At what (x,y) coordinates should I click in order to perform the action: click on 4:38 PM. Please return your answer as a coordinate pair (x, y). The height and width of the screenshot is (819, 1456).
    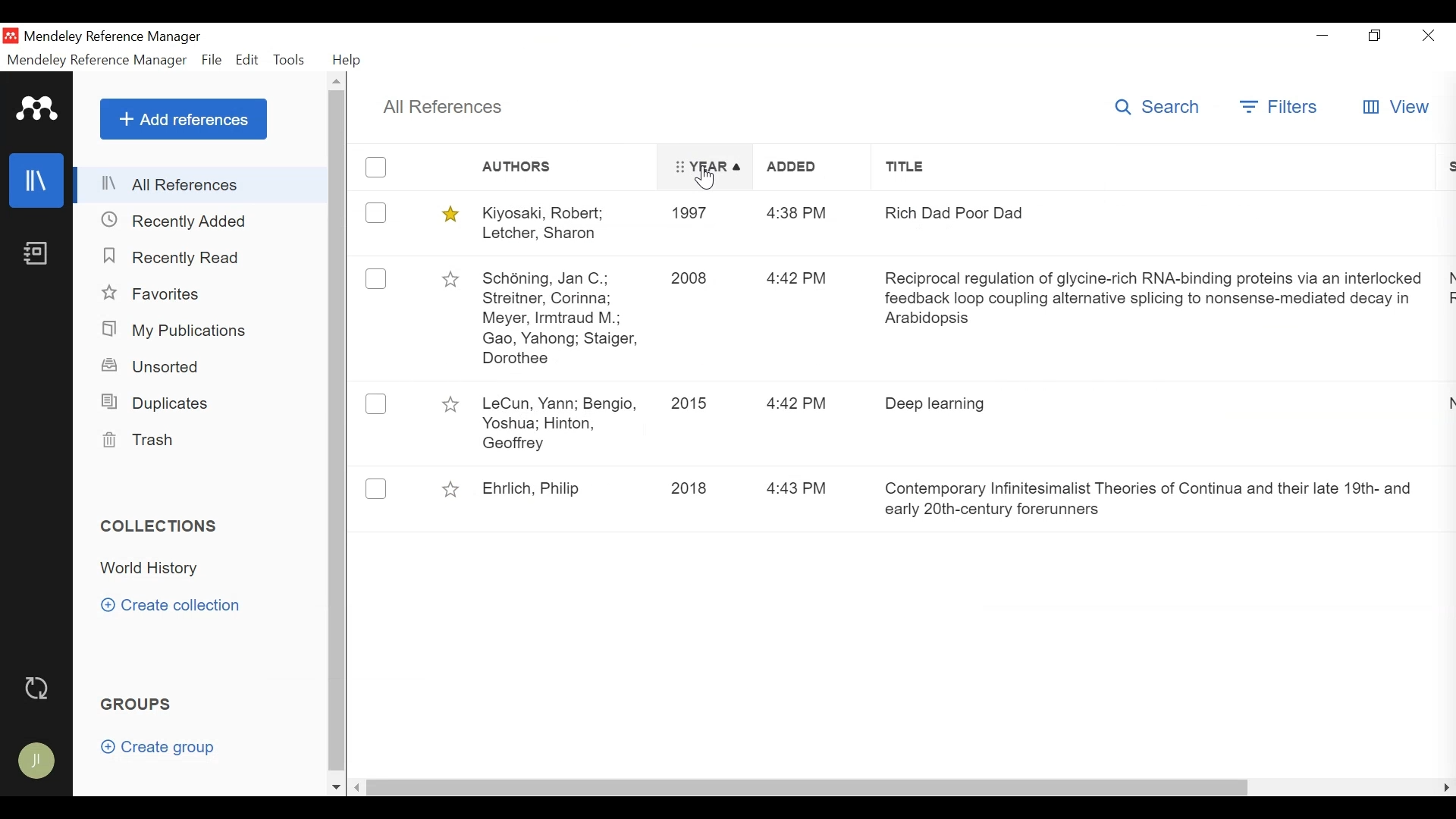
    Looking at the image, I should click on (792, 214).